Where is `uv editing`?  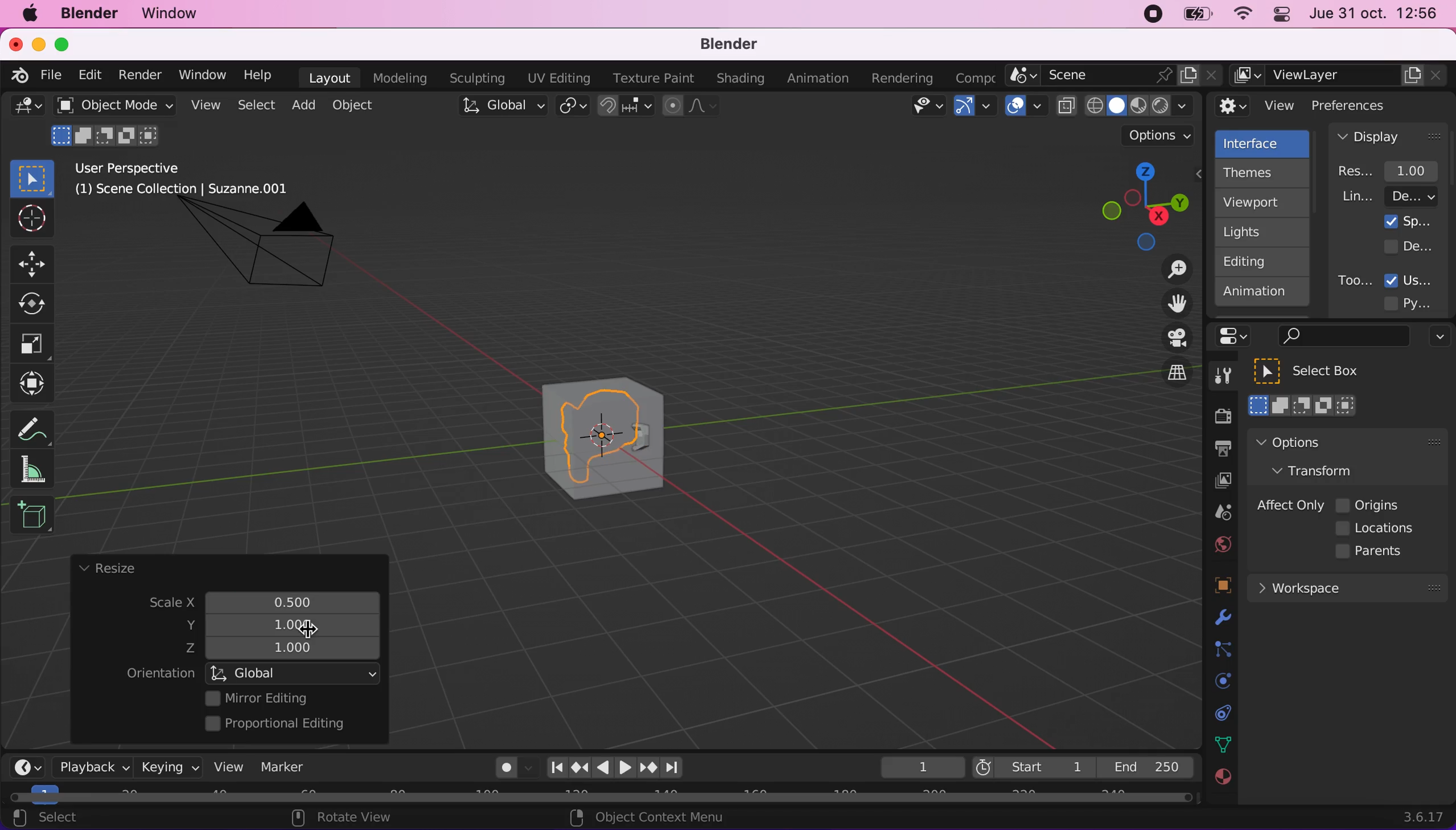 uv editing is located at coordinates (558, 78).